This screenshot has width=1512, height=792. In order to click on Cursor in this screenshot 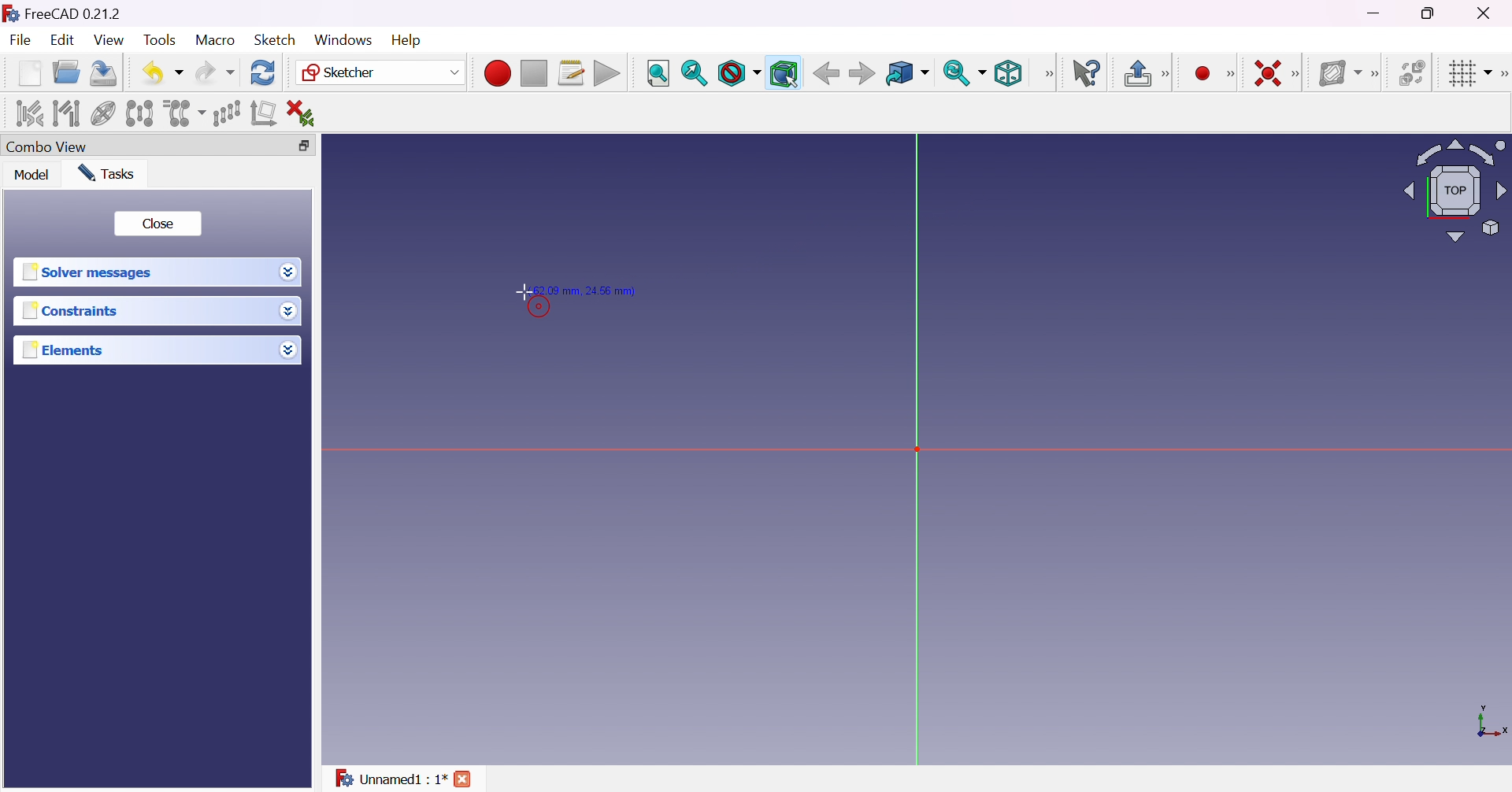, I will do `click(524, 289)`.